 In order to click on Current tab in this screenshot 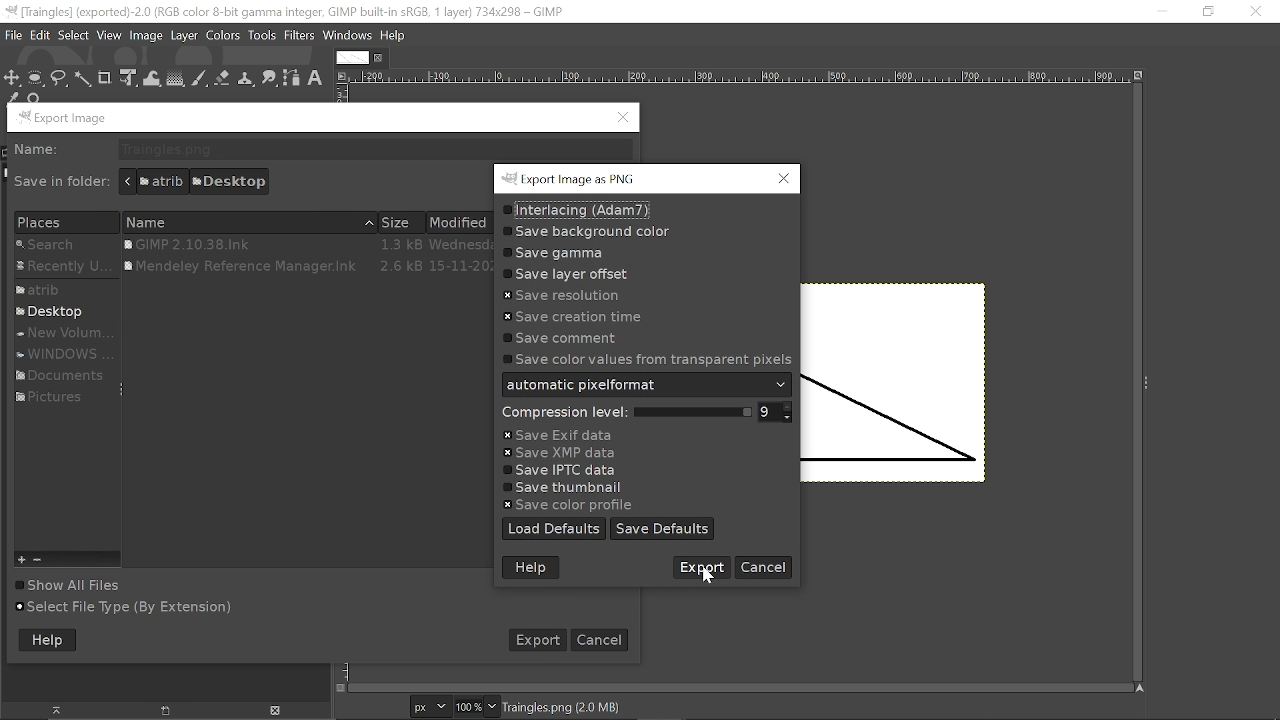, I will do `click(352, 58)`.